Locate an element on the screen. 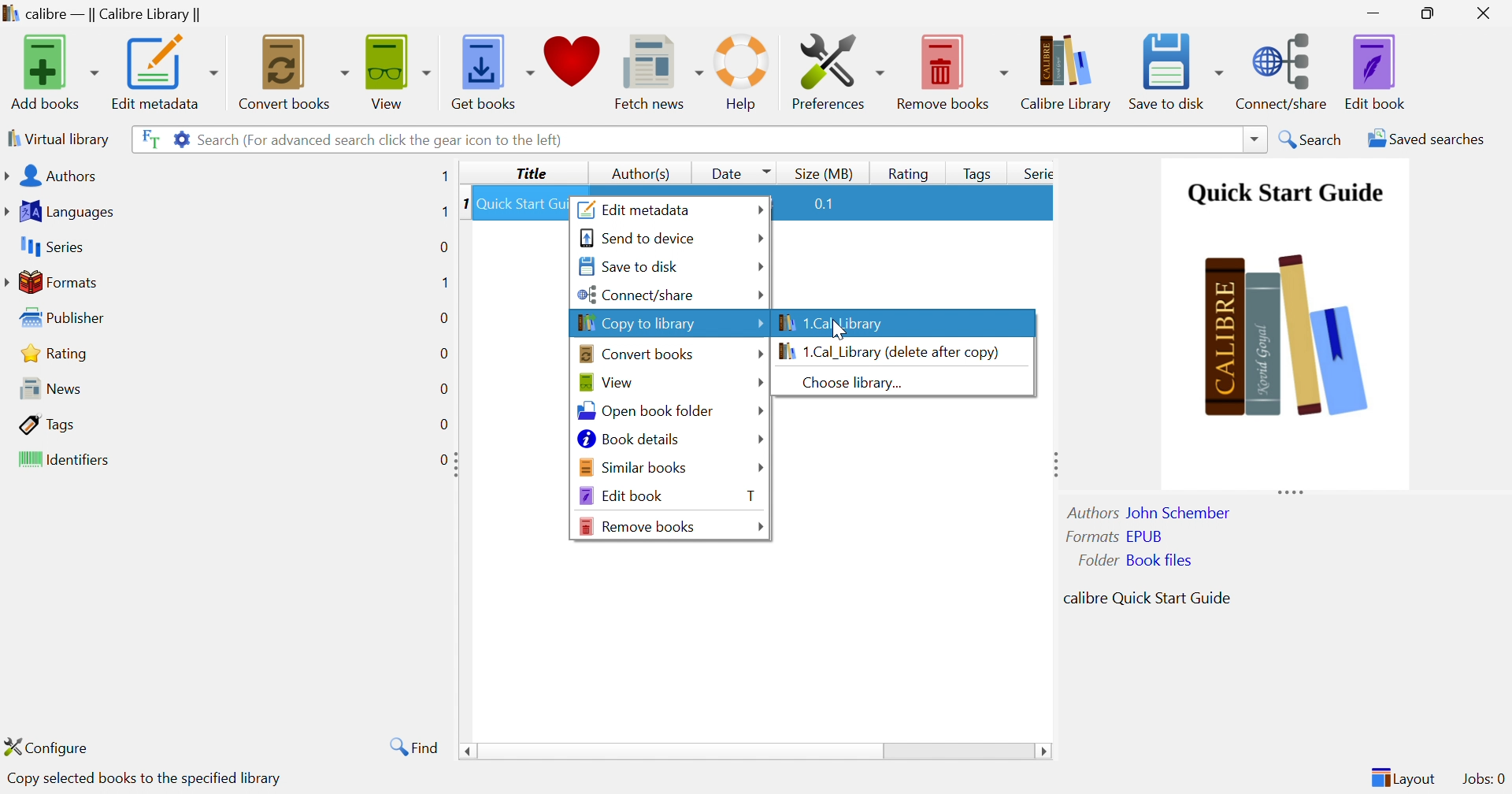  Expand is located at coordinates (457, 463).